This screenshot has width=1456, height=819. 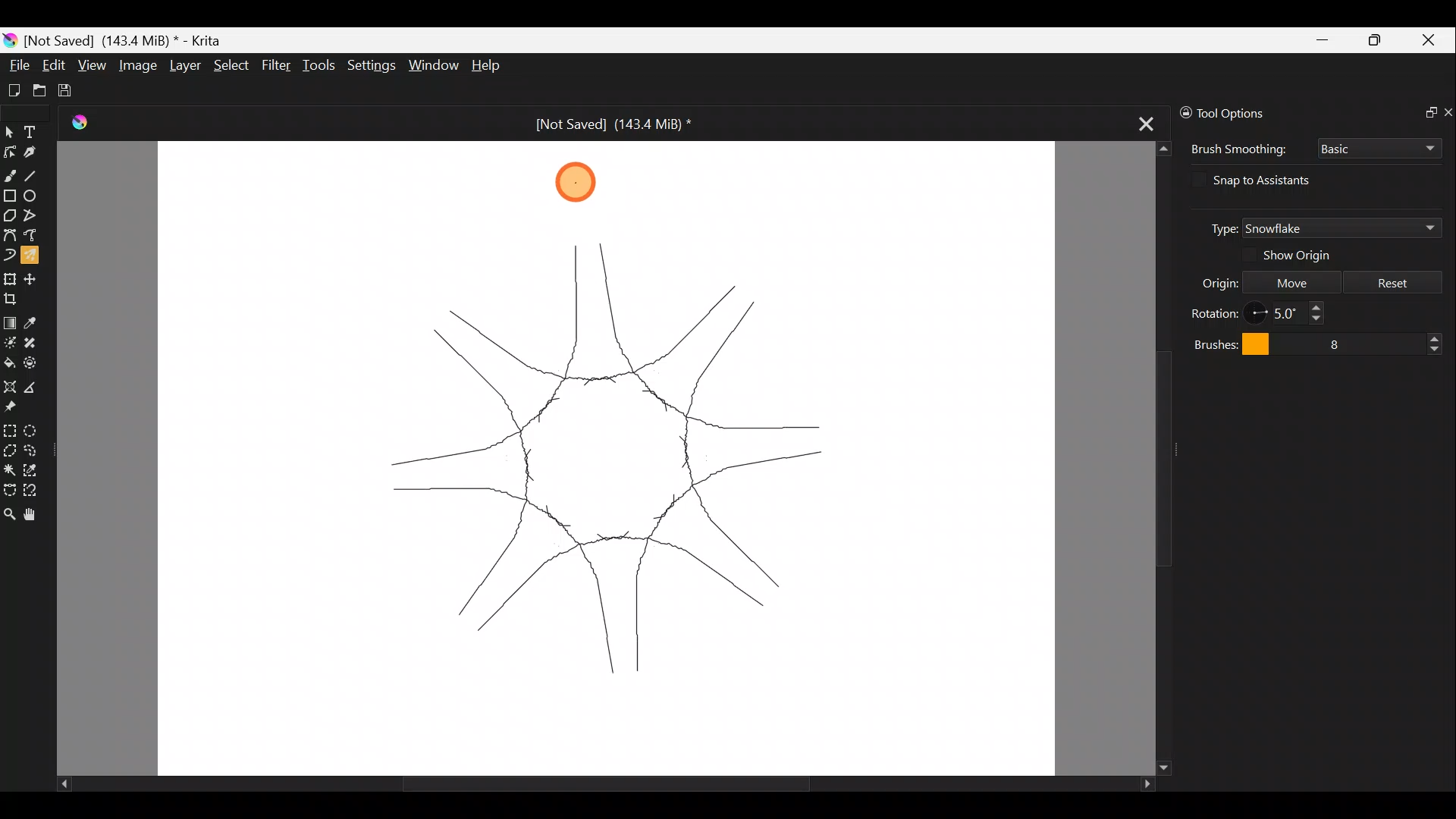 I want to click on Multibrush tool, so click(x=32, y=259).